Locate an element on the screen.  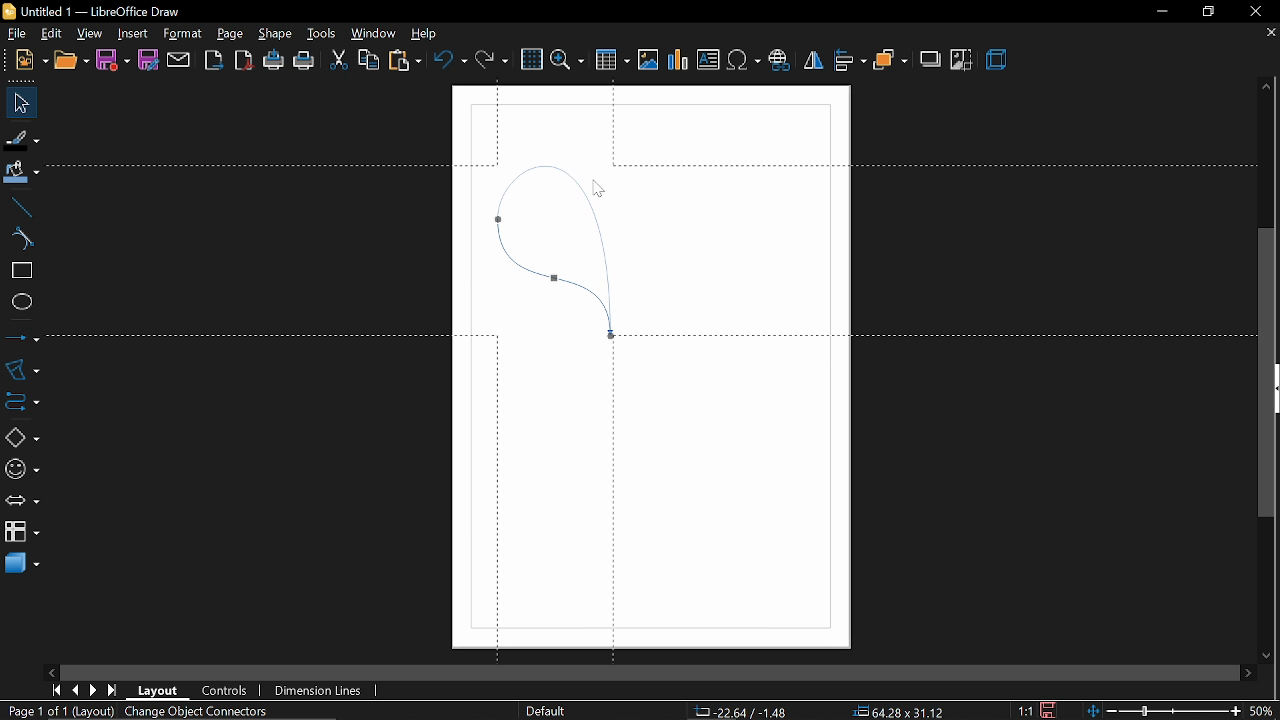
curve is located at coordinates (20, 239).